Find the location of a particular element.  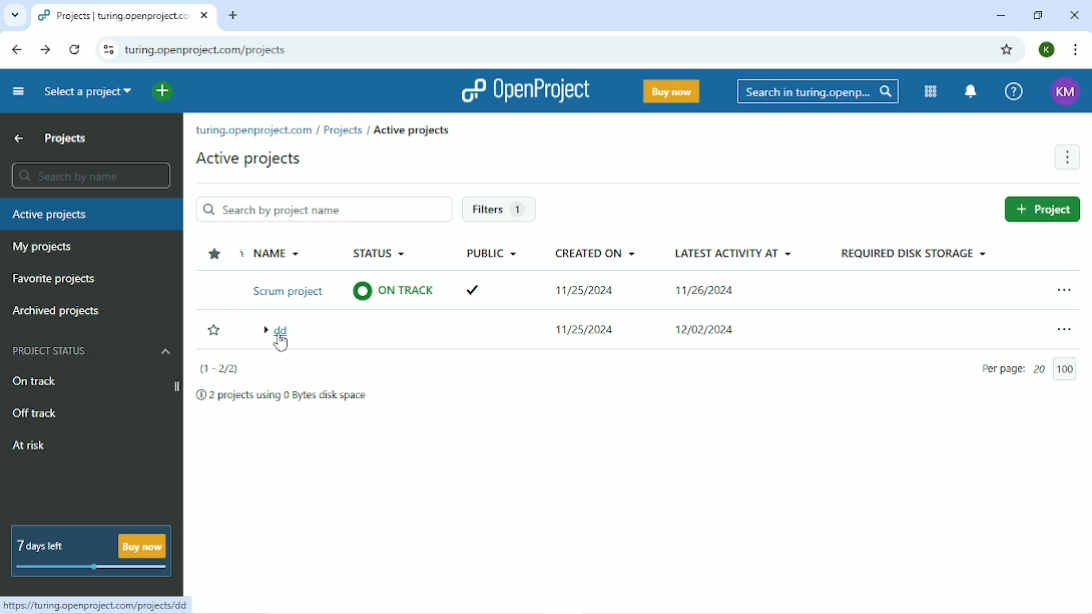

Restore down is located at coordinates (1037, 15).